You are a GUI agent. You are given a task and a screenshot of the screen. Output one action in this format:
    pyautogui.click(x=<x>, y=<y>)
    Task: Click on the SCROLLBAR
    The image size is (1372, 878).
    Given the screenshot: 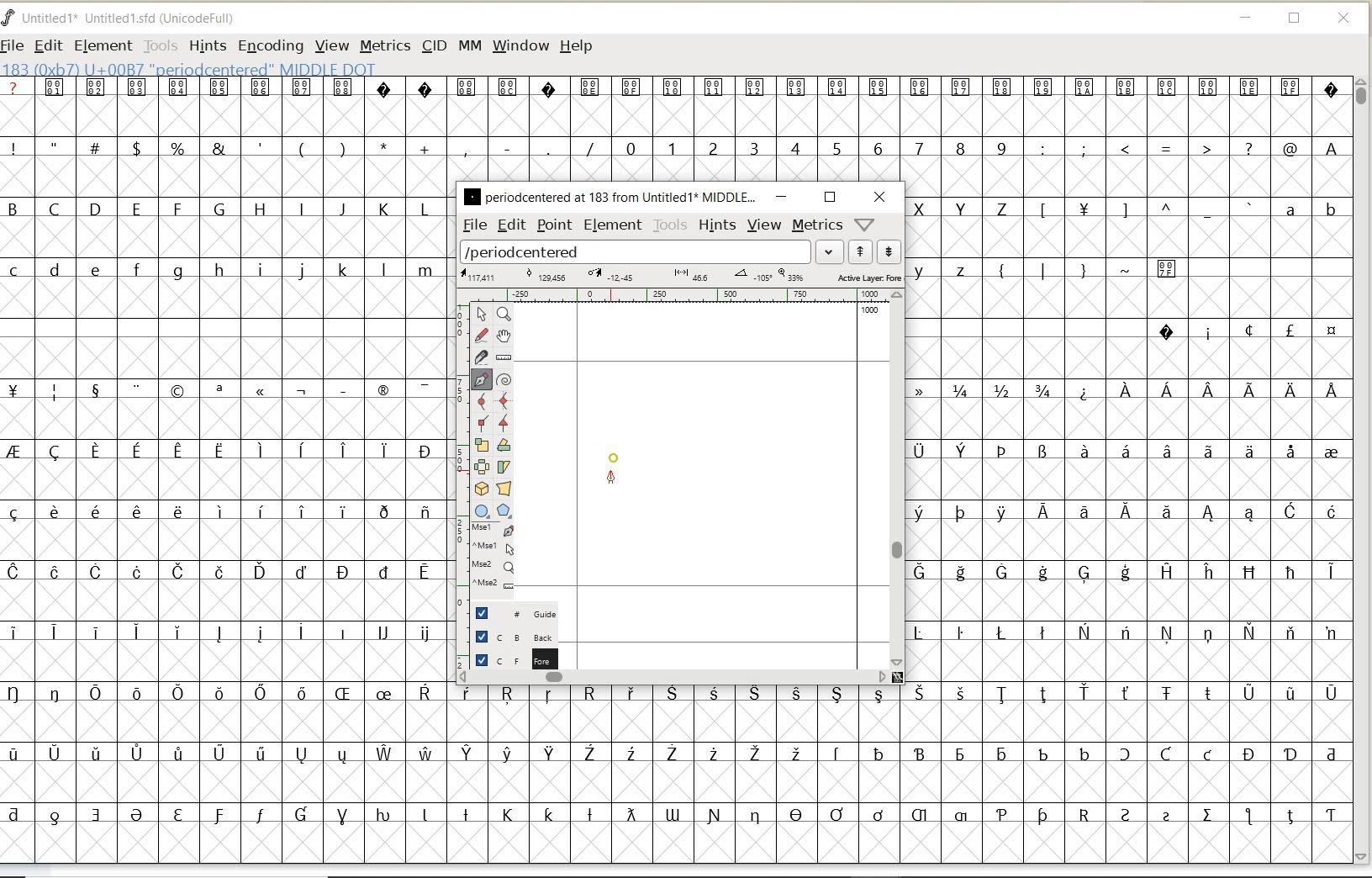 What is the action you would take?
    pyautogui.click(x=1364, y=470)
    